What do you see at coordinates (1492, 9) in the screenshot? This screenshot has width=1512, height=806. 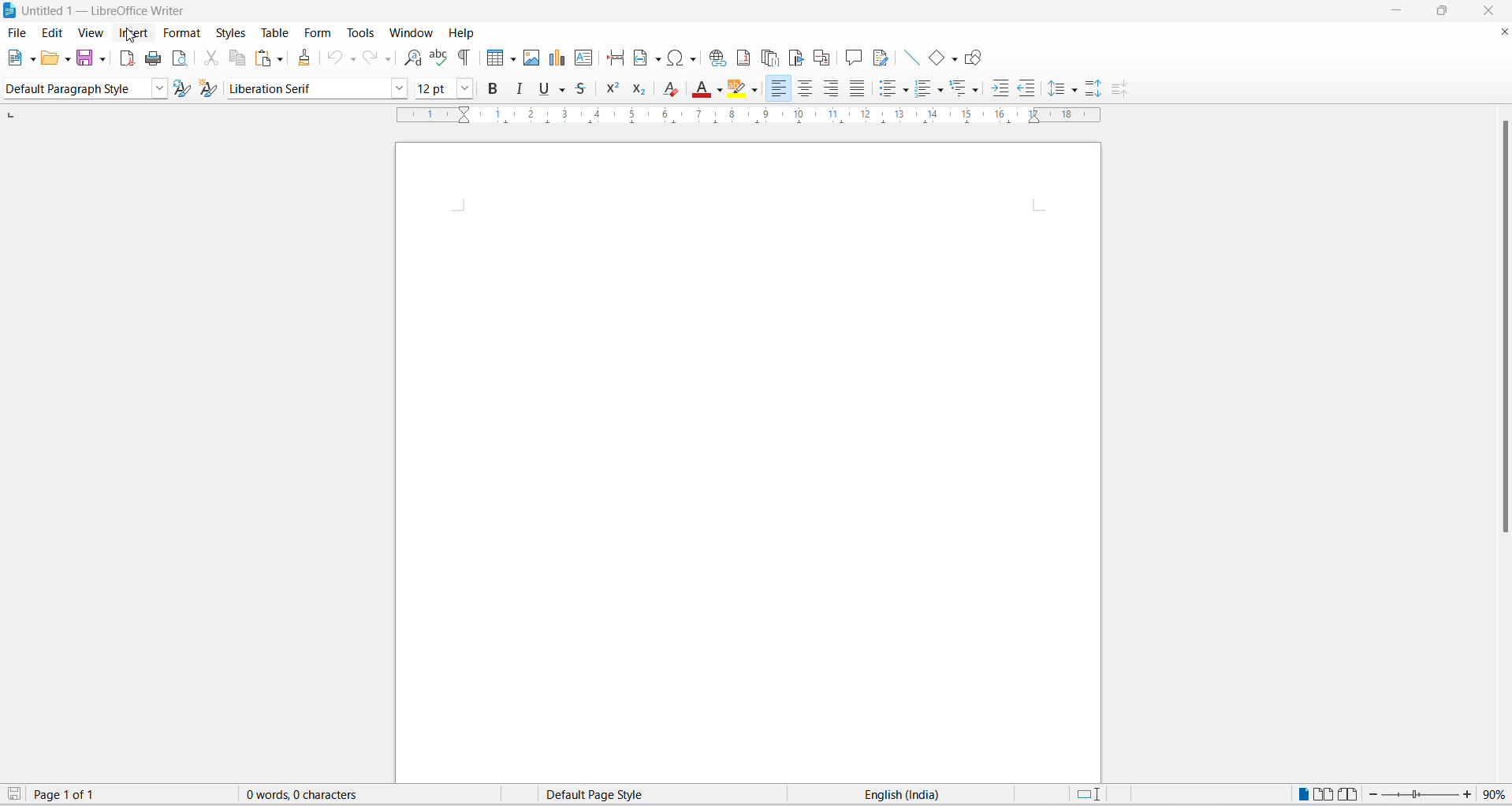 I see `` at bounding box center [1492, 9].